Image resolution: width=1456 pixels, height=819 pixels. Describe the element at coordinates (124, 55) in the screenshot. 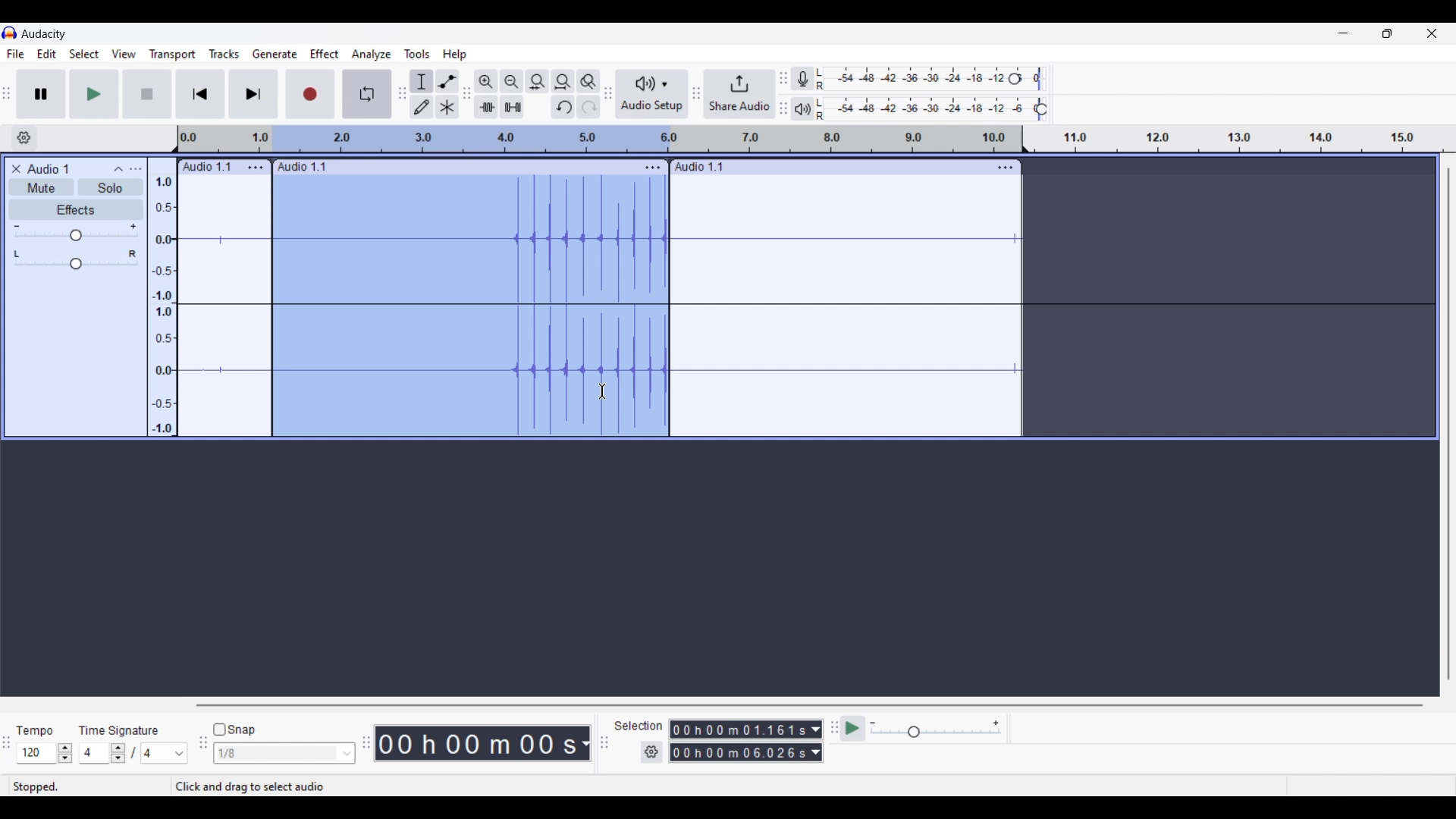

I see `View menu` at that location.